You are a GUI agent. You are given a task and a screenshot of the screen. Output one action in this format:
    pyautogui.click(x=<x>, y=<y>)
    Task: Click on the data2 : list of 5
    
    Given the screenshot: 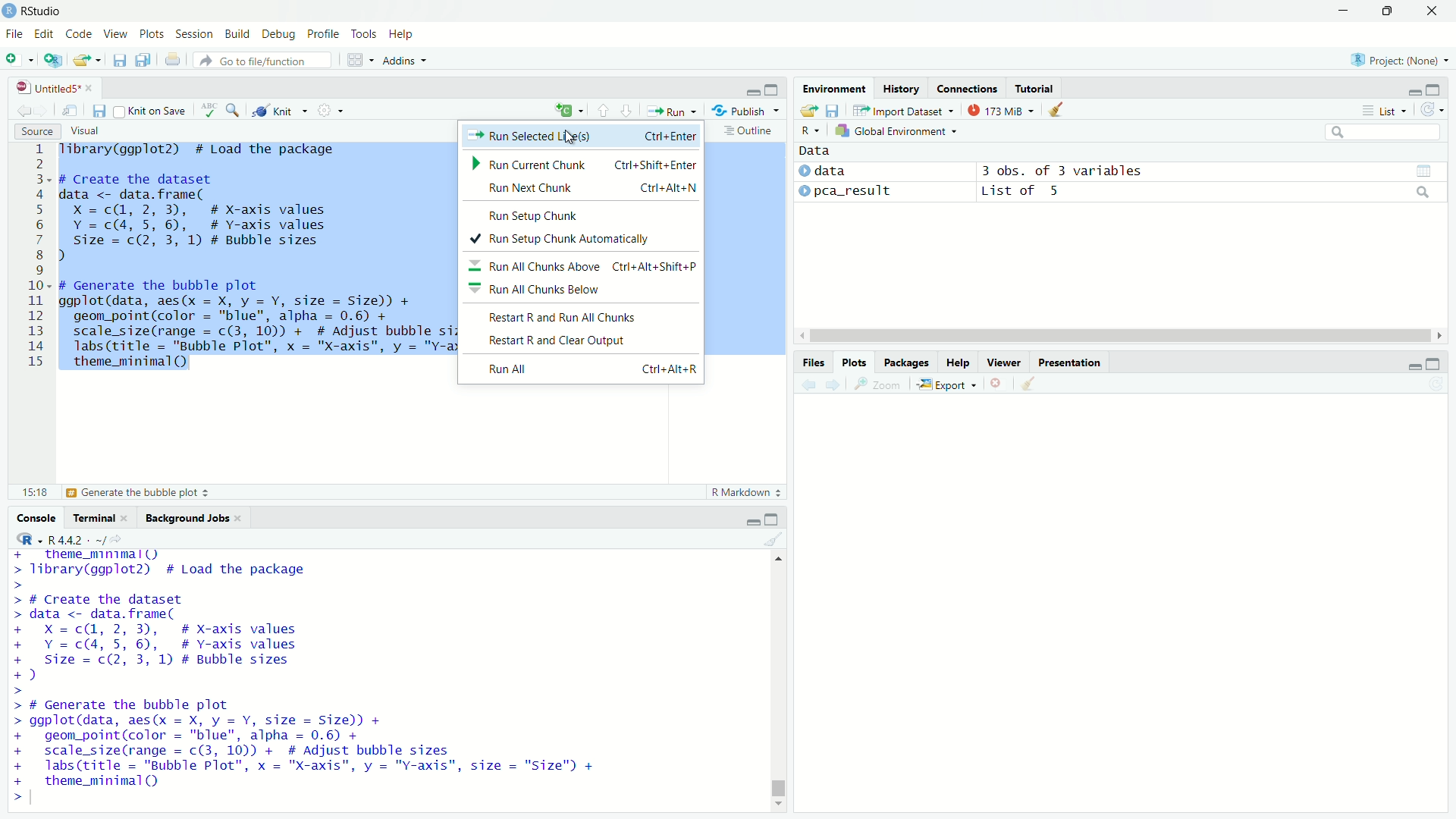 What is the action you would take?
    pyautogui.click(x=1210, y=193)
    